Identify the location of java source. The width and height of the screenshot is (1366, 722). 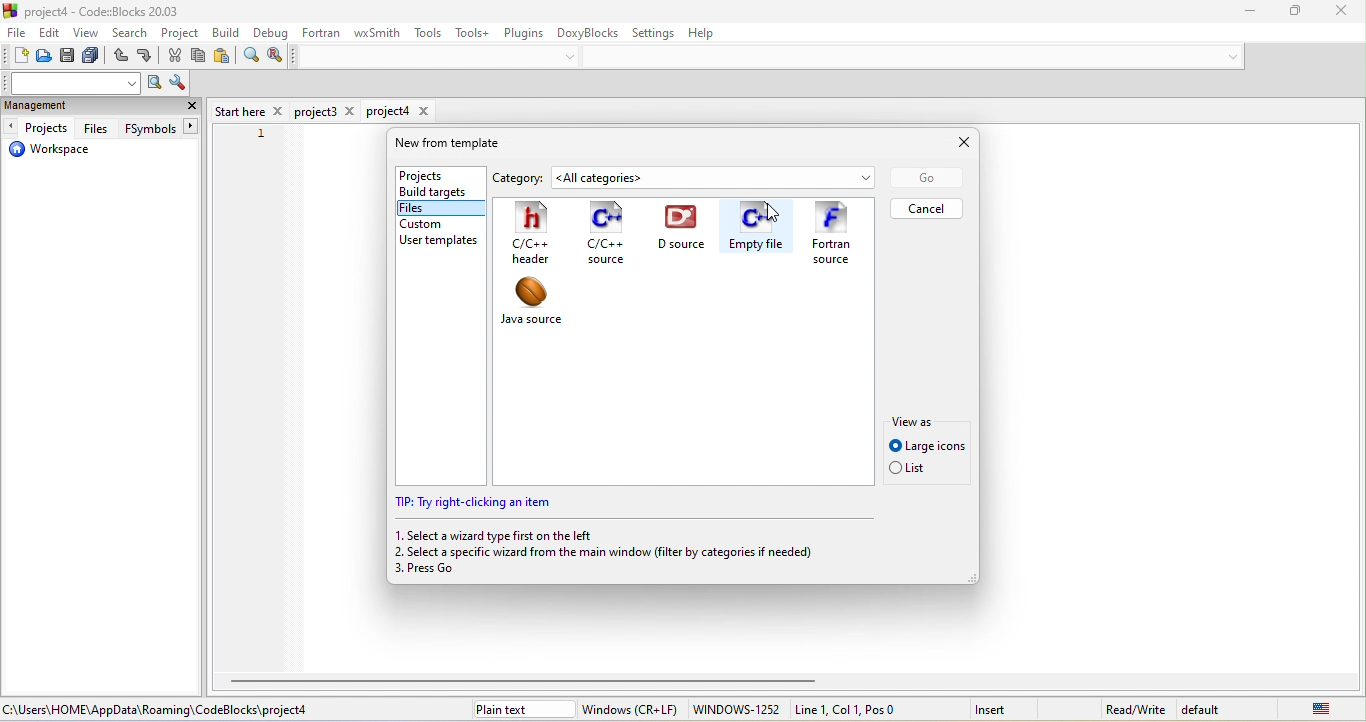
(544, 306).